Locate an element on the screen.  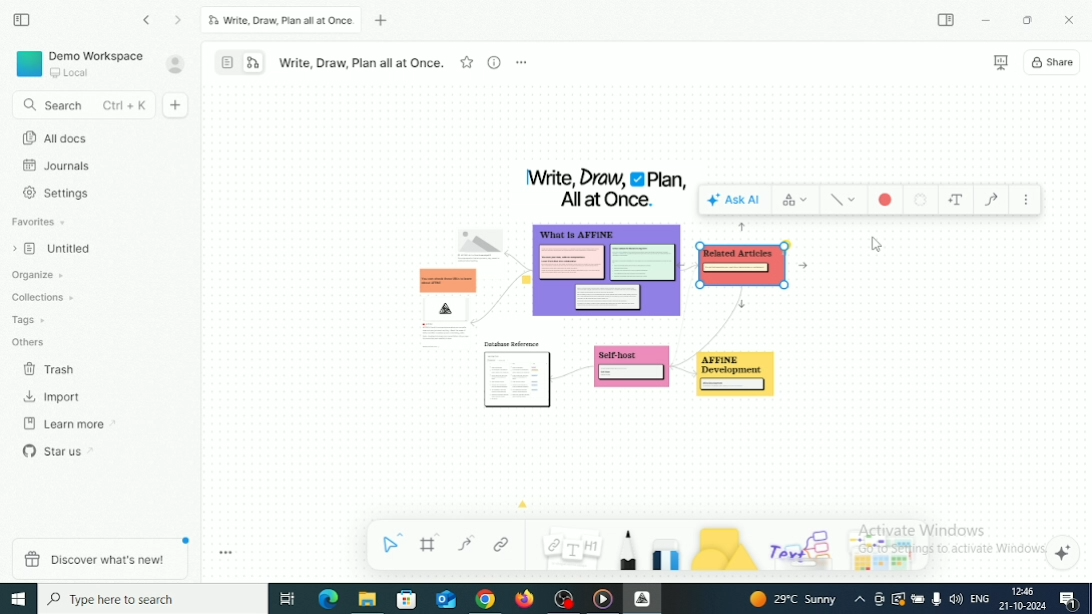
Select is located at coordinates (394, 542).